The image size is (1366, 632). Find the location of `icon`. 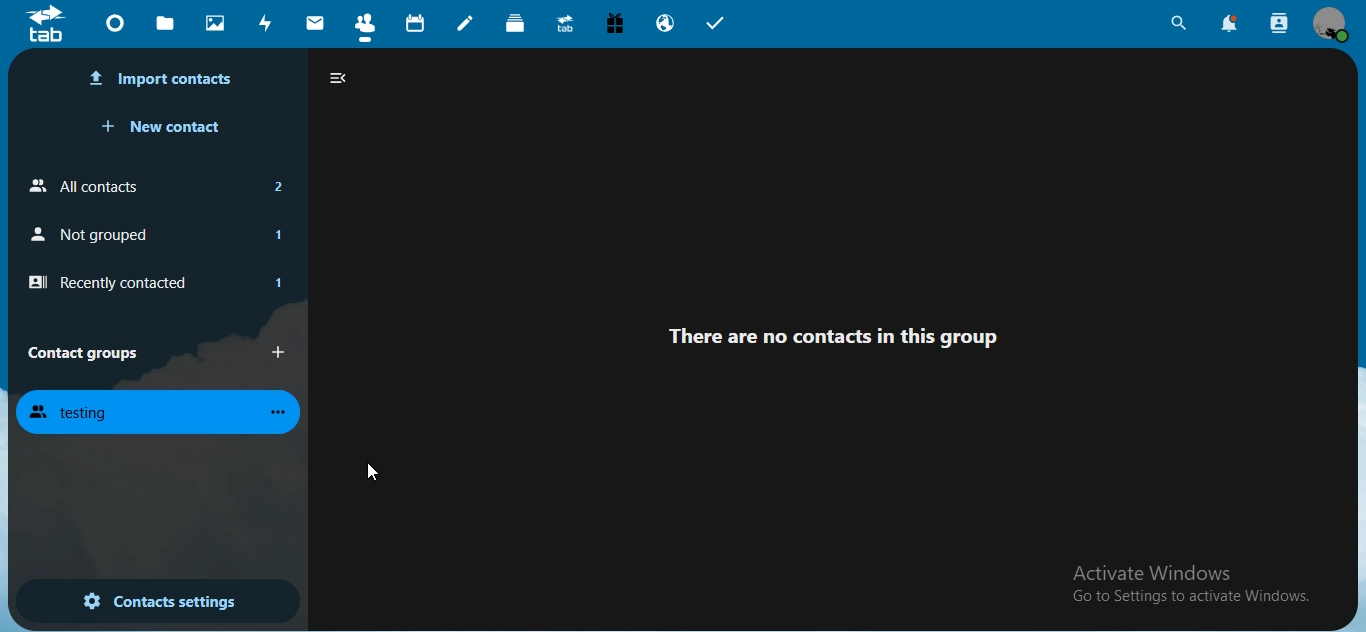

icon is located at coordinates (46, 25).